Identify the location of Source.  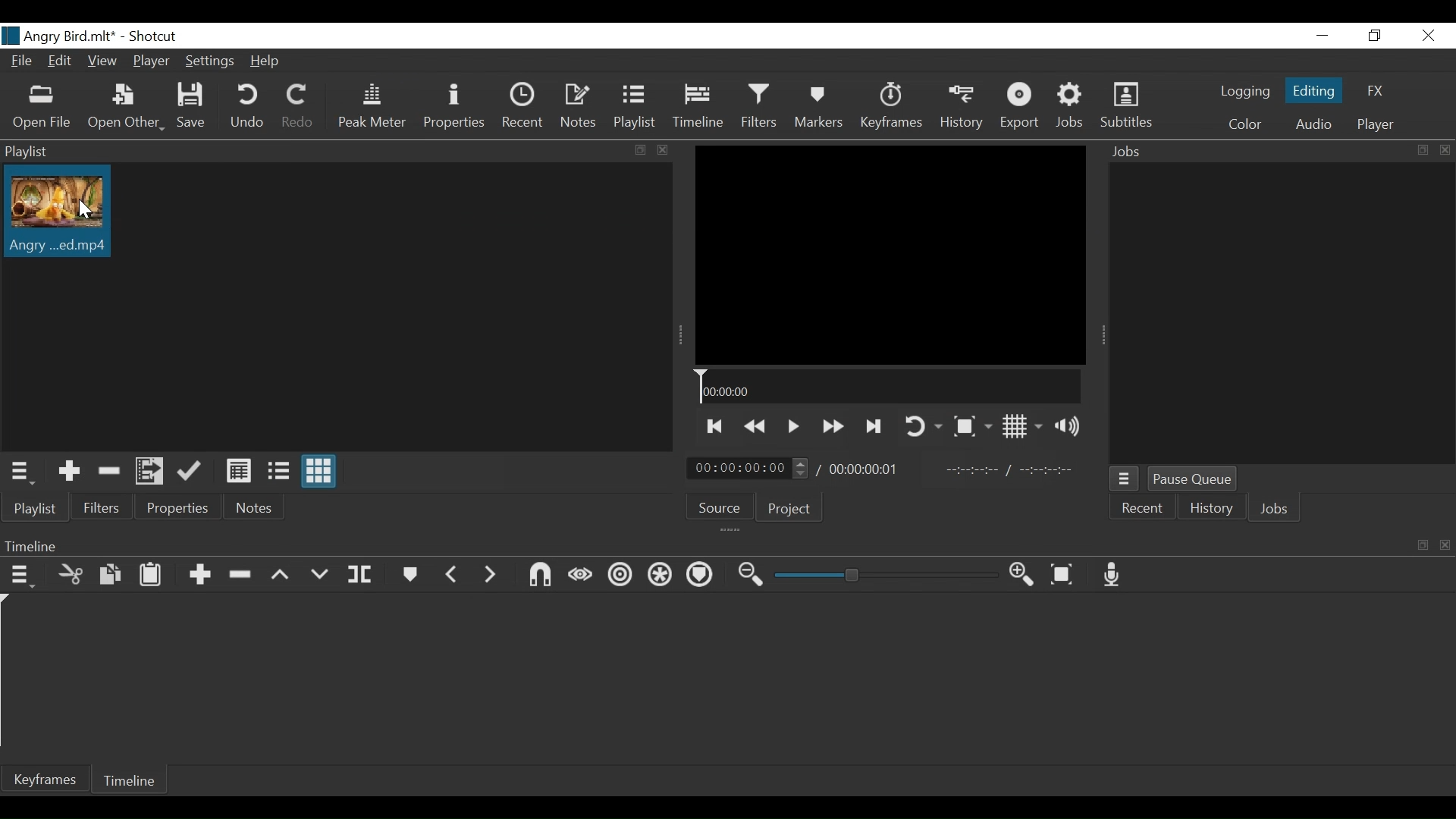
(718, 507).